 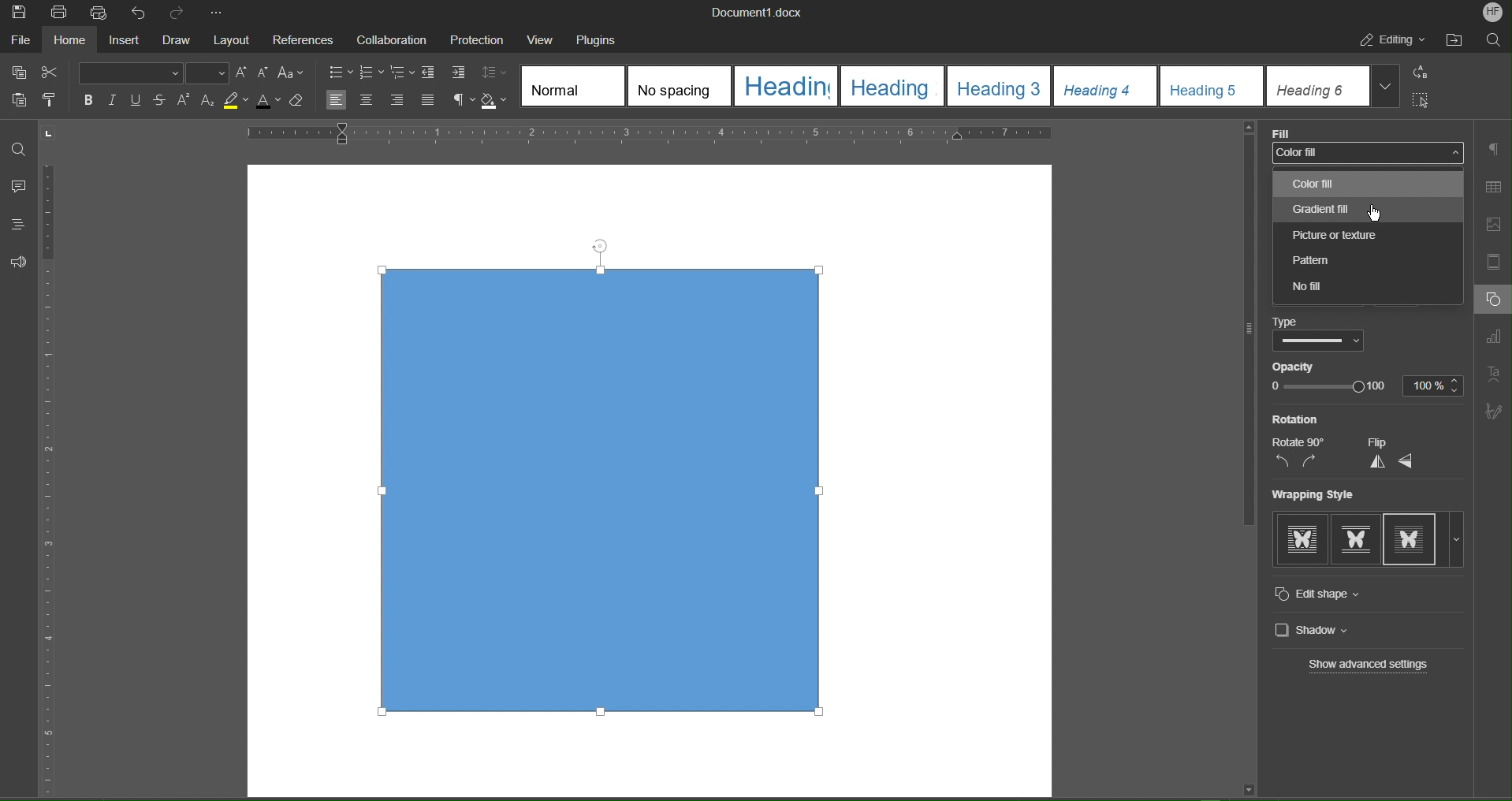 I want to click on Redo, so click(x=177, y=12).